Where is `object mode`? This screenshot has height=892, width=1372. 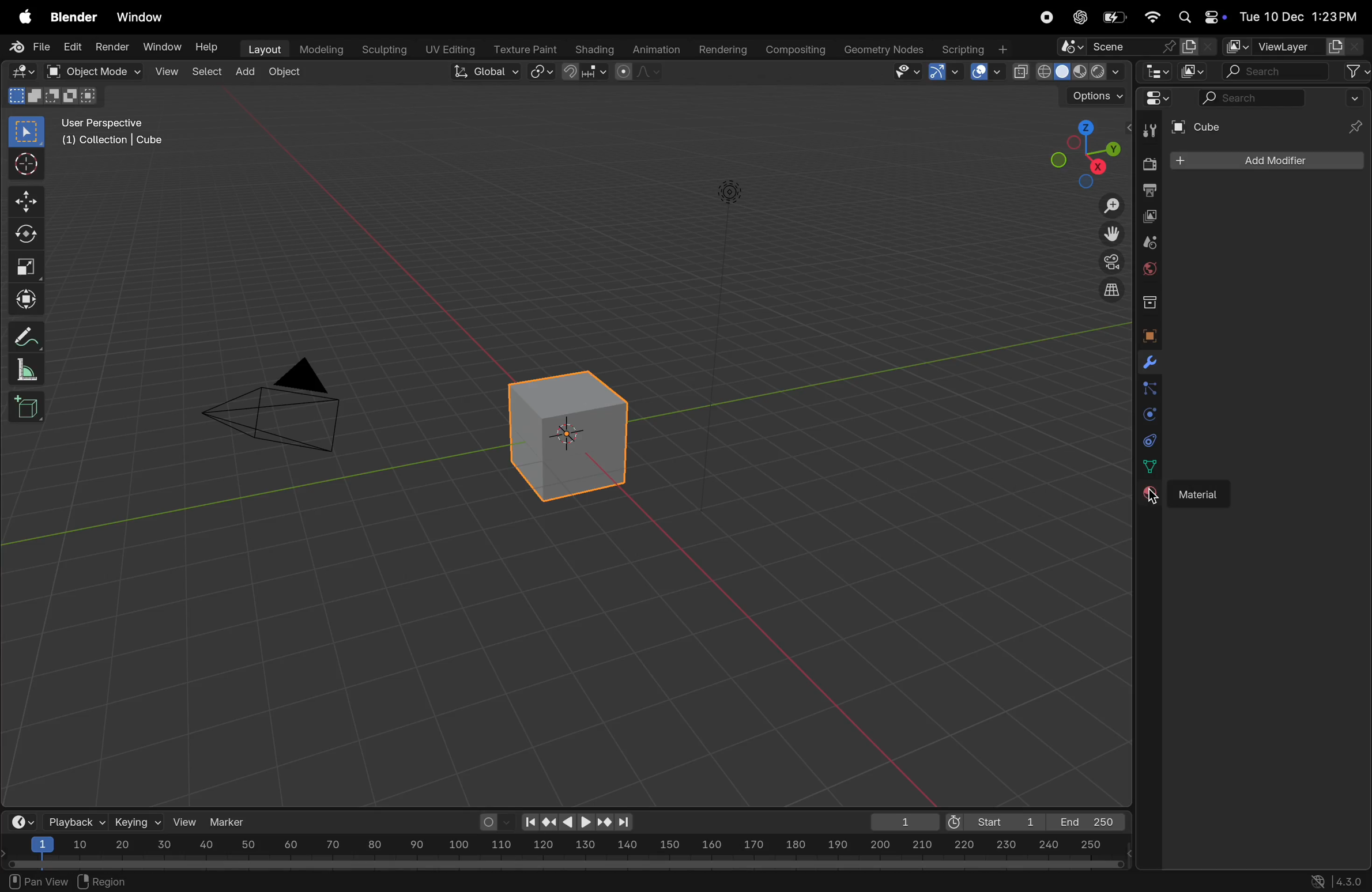
object mode is located at coordinates (88, 71).